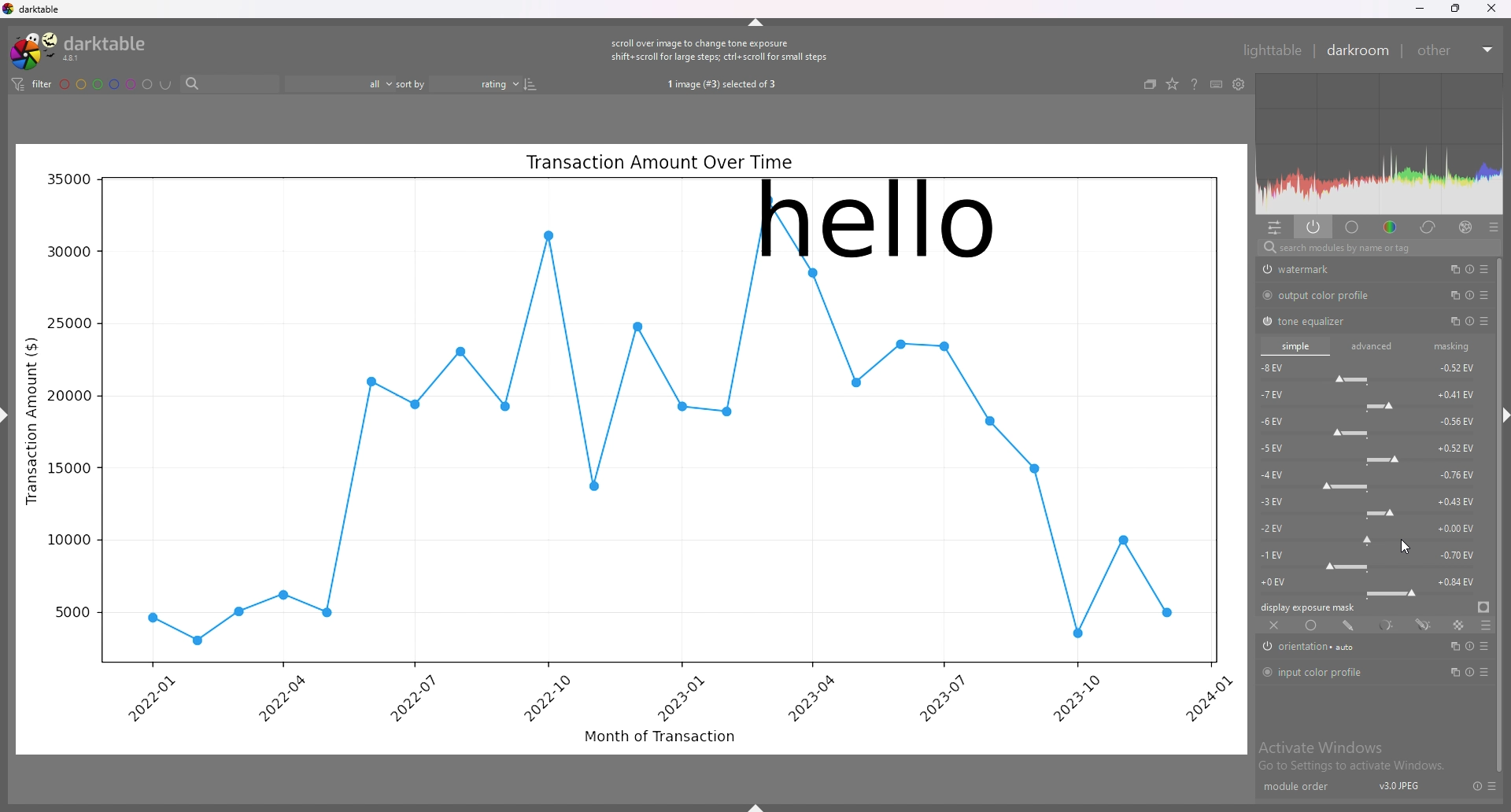 This screenshot has width=1511, height=812. What do you see at coordinates (1420, 9) in the screenshot?
I see `minimize` at bounding box center [1420, 9].